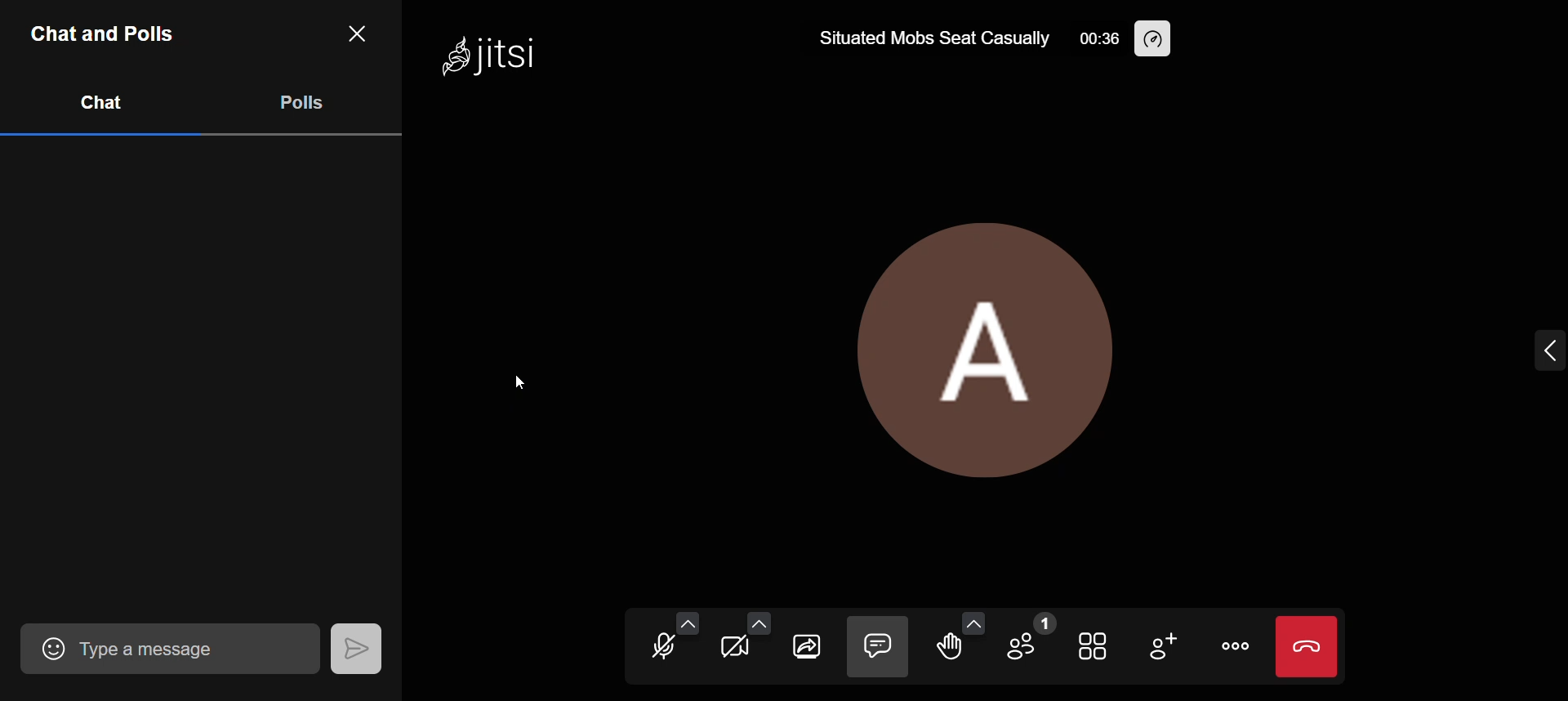 The image size is (1568, 701). I want to click on end call, so click(1307, 647).